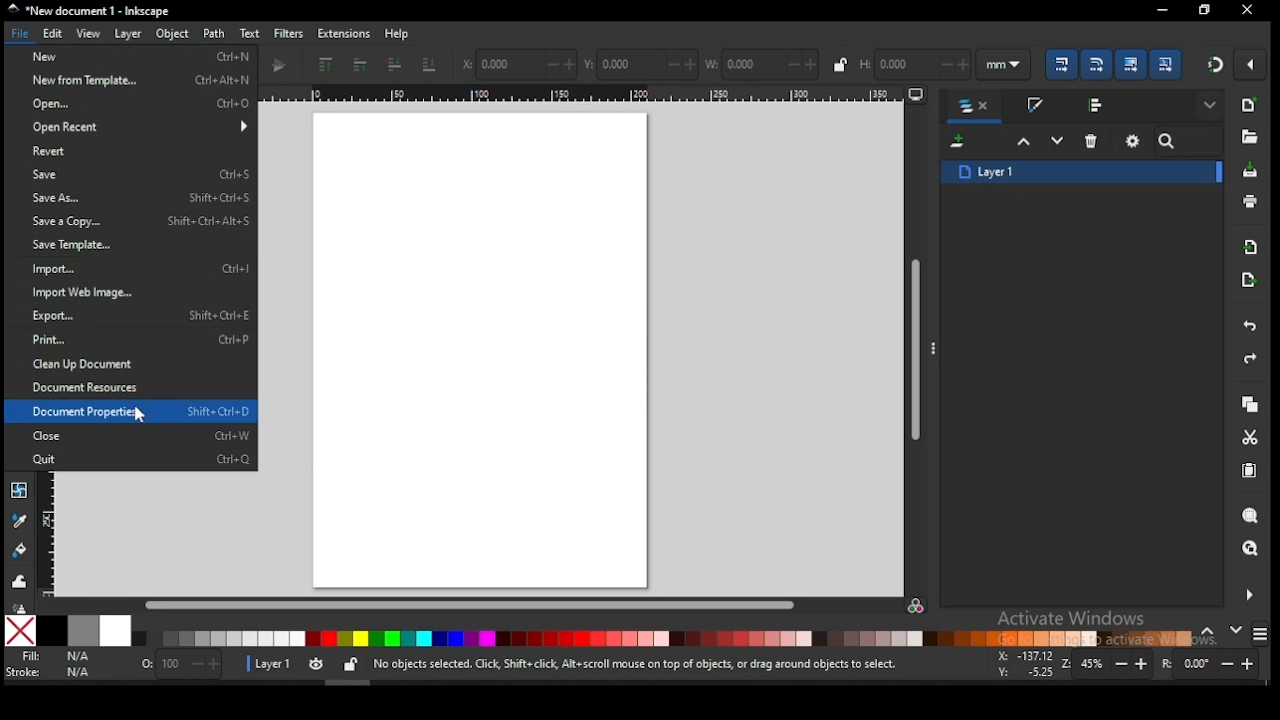 The height and width of the screenshot is (720, 1280). I want to click on vertical coordinates of selection, so click(643, 65).